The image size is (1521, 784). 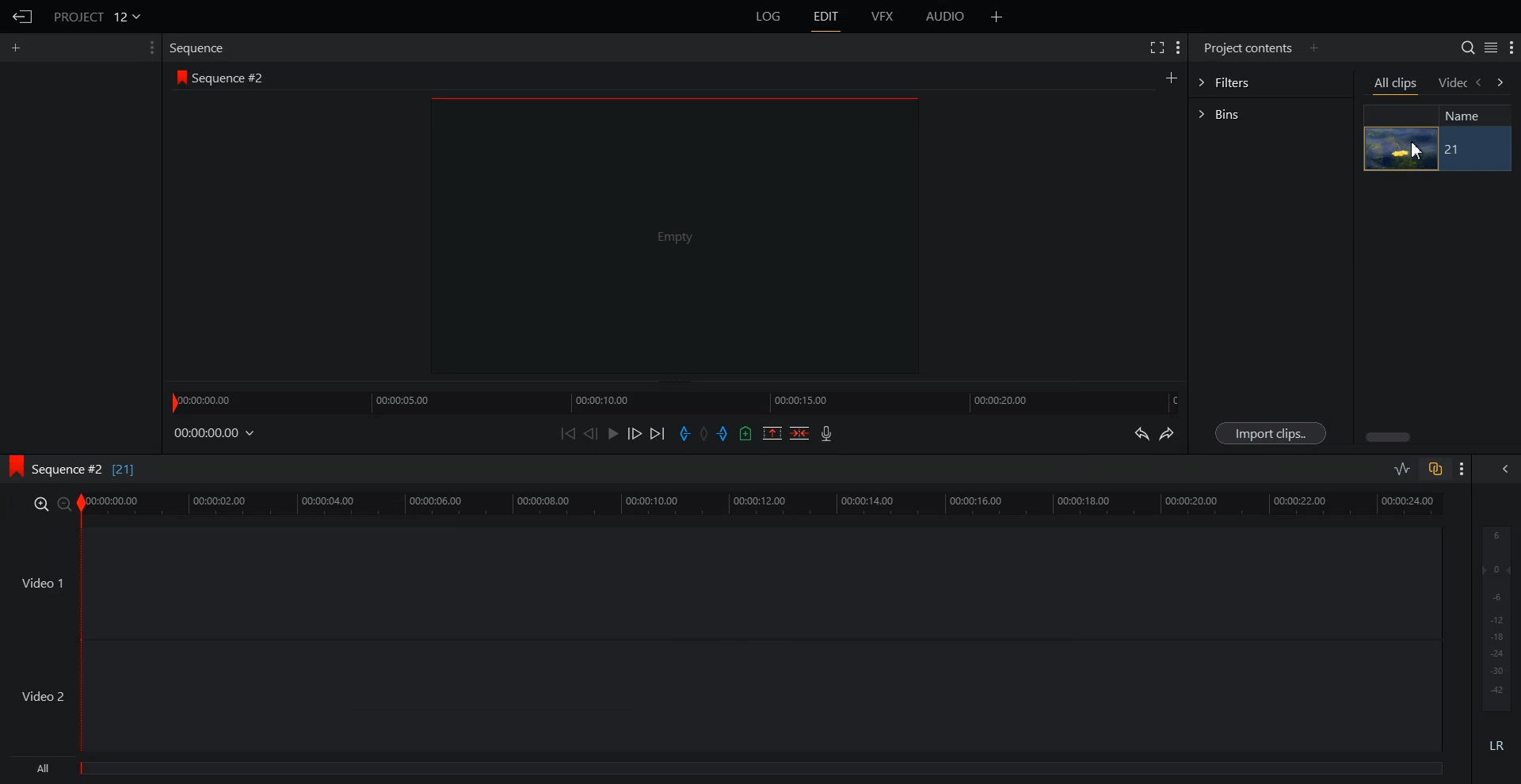 I want to click on Sequence, so click(x=200, y=47).